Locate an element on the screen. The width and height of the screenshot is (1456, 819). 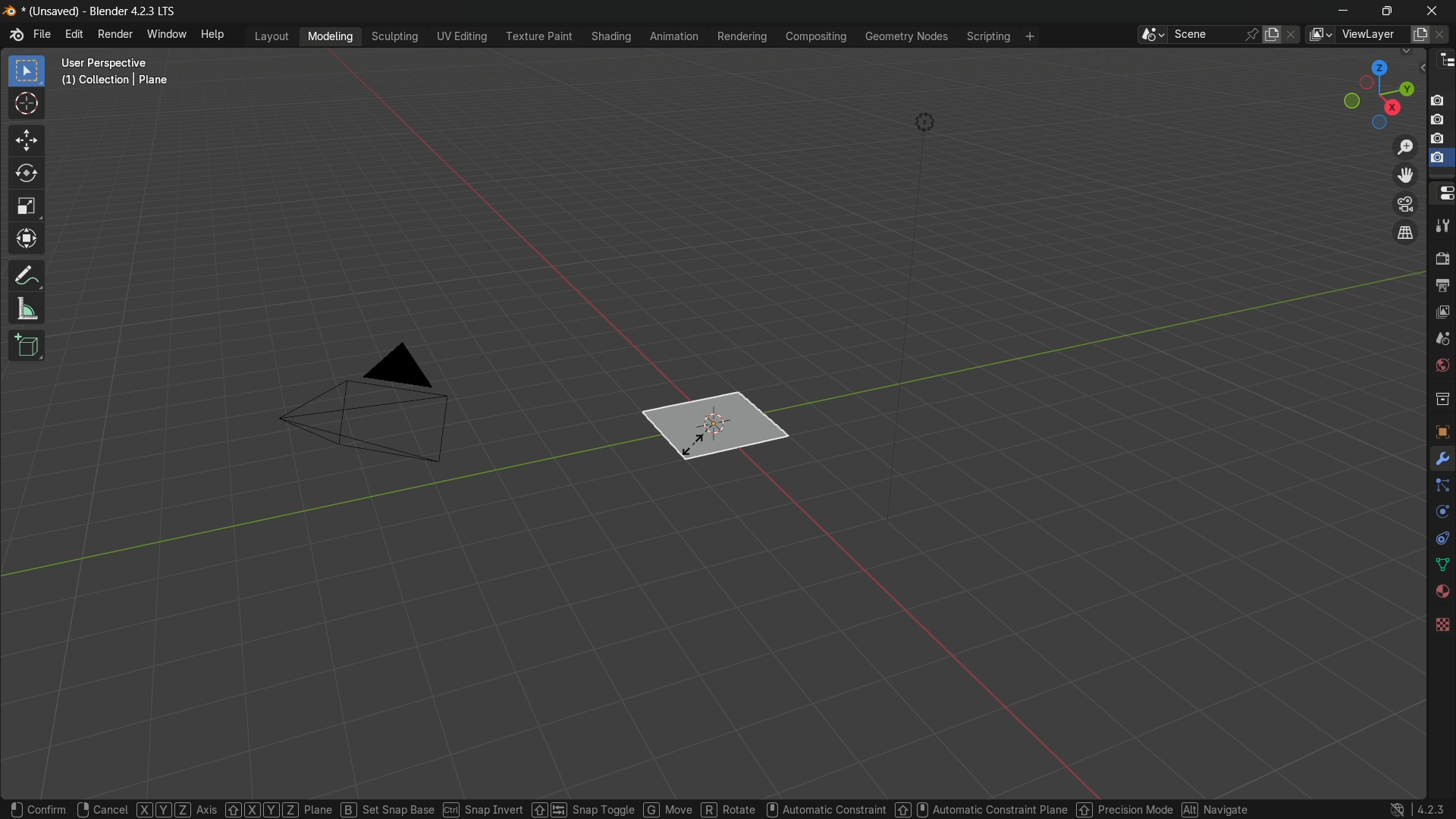
rendering is located at coordinates (742, 36).